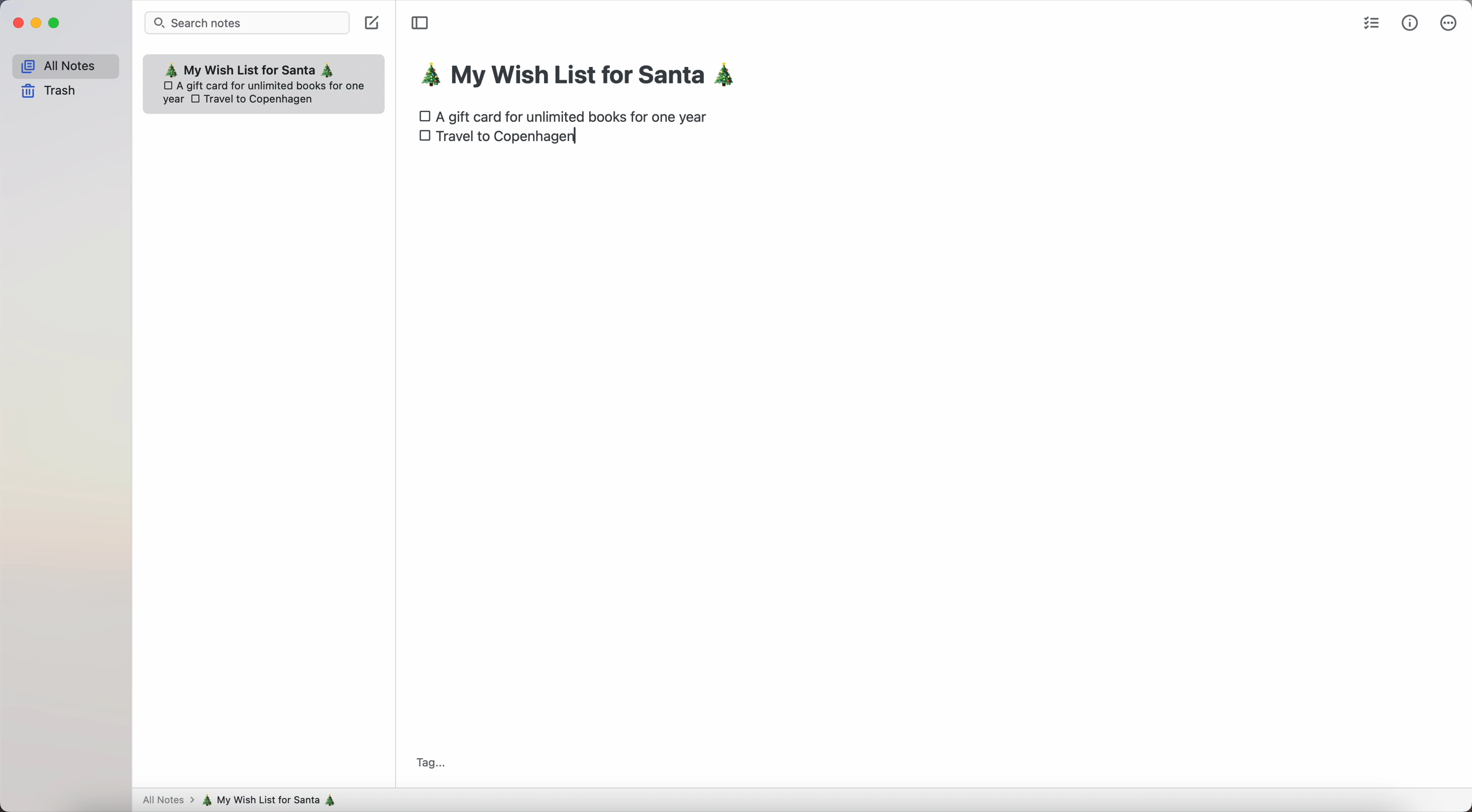  What do you see at coordinates (265, 92) in the screenshot?
I see `A gift card for unlimited books for oneyear Travel to Copenhagen` at bounding box center [265, 92].